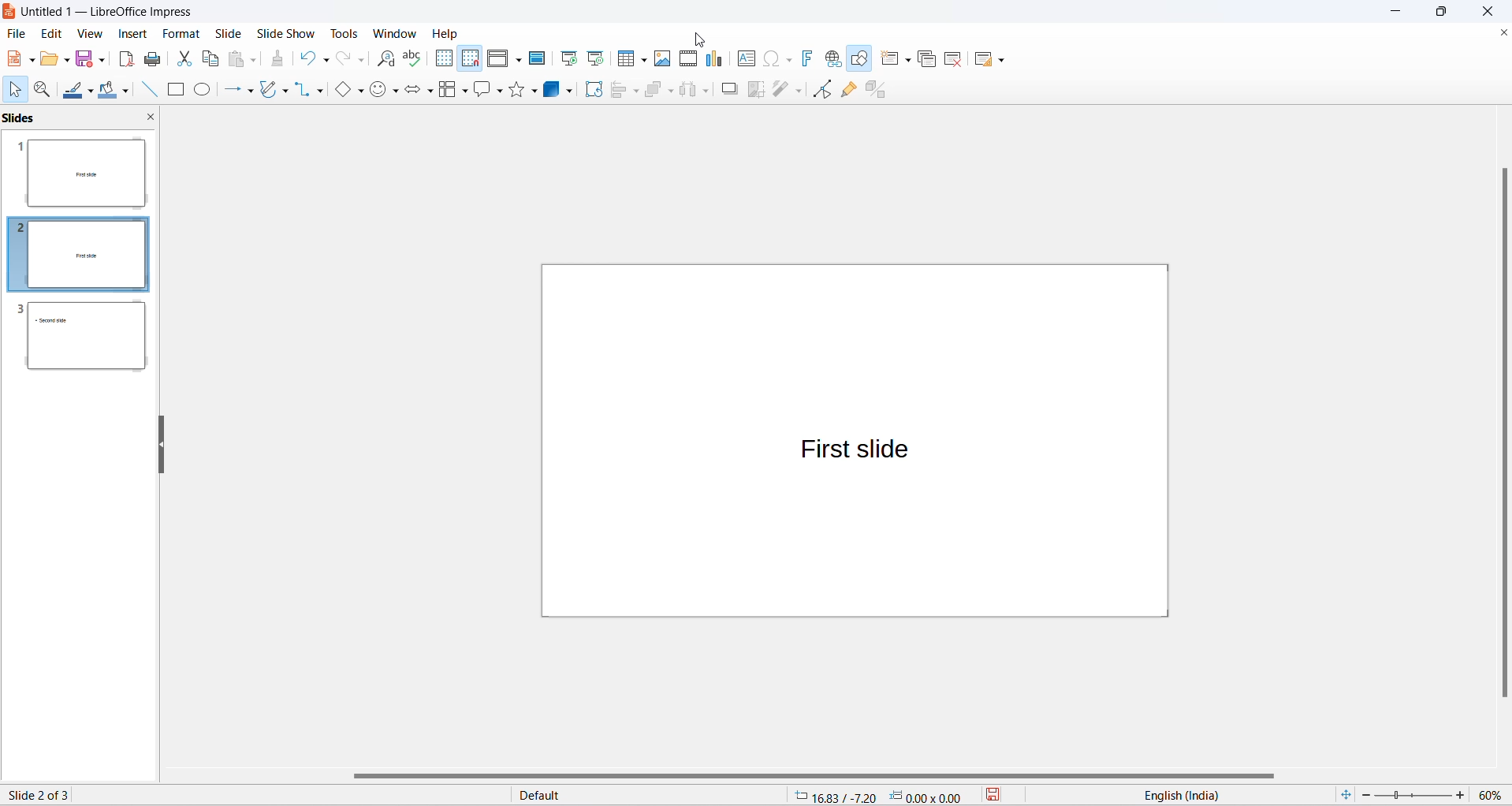  Describe the element at coordinates (31, 61) in the screenshot. I see `new file options` at that location.